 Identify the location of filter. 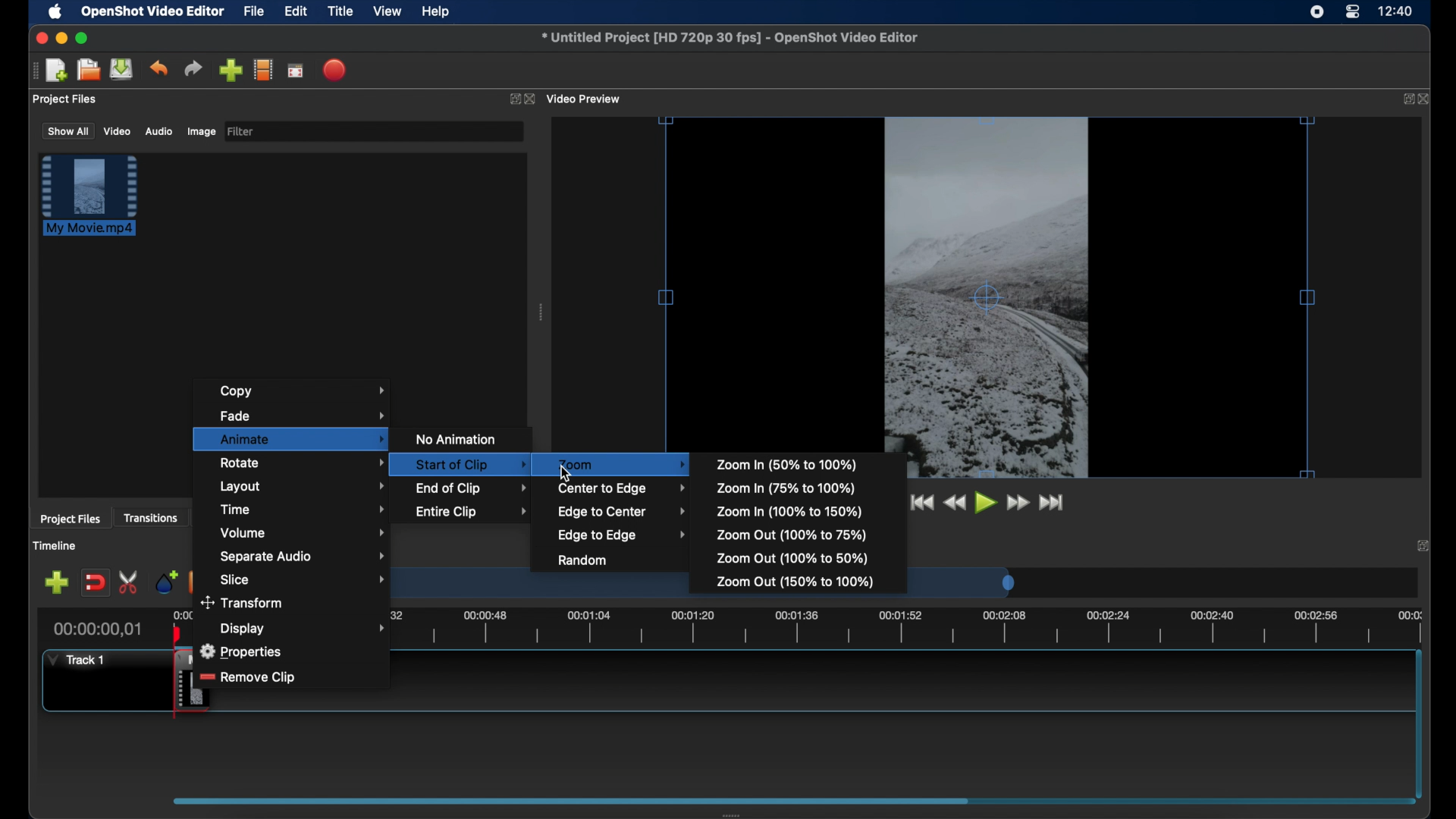
(241, 130).